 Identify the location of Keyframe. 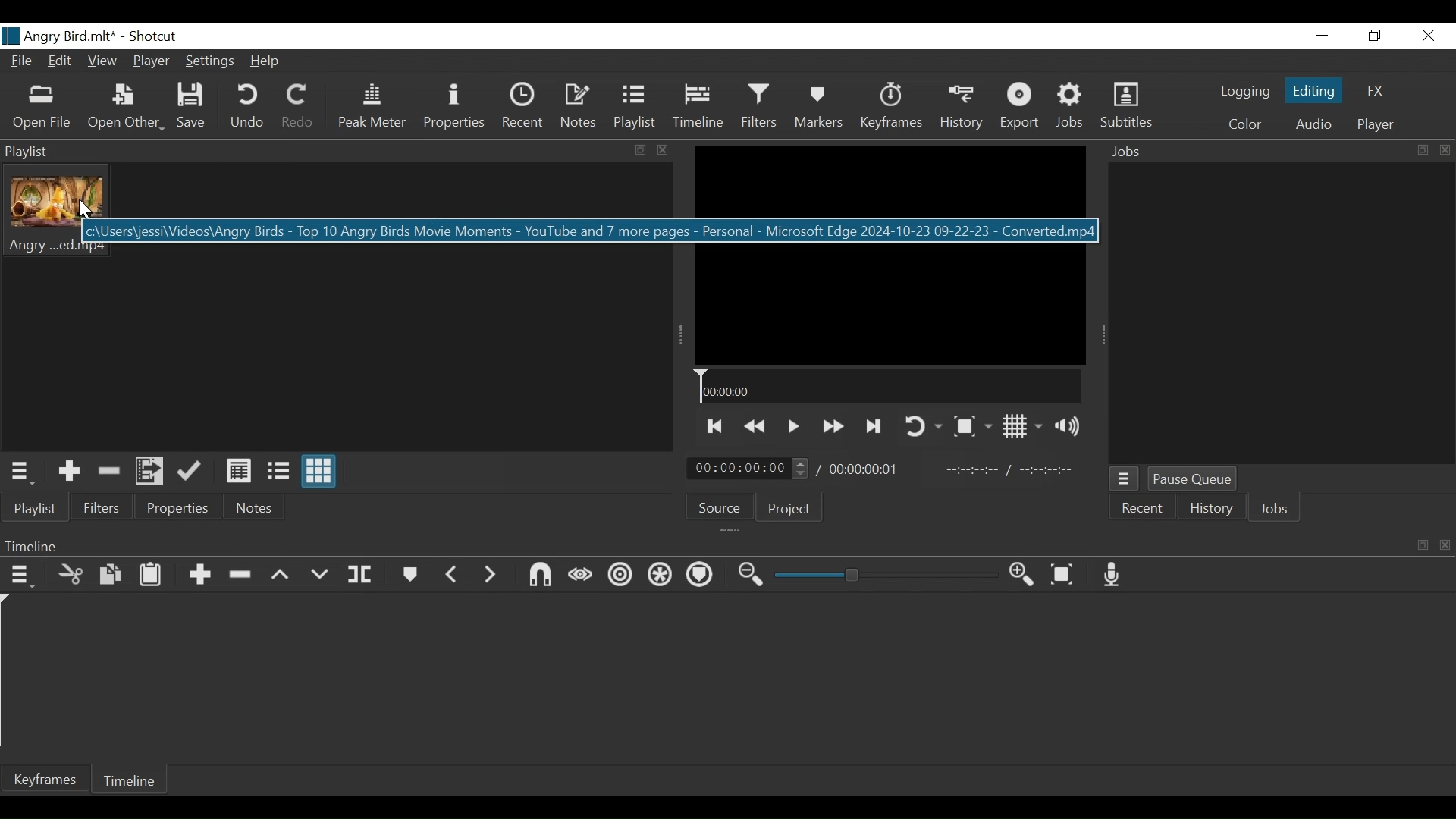
(44, 780).